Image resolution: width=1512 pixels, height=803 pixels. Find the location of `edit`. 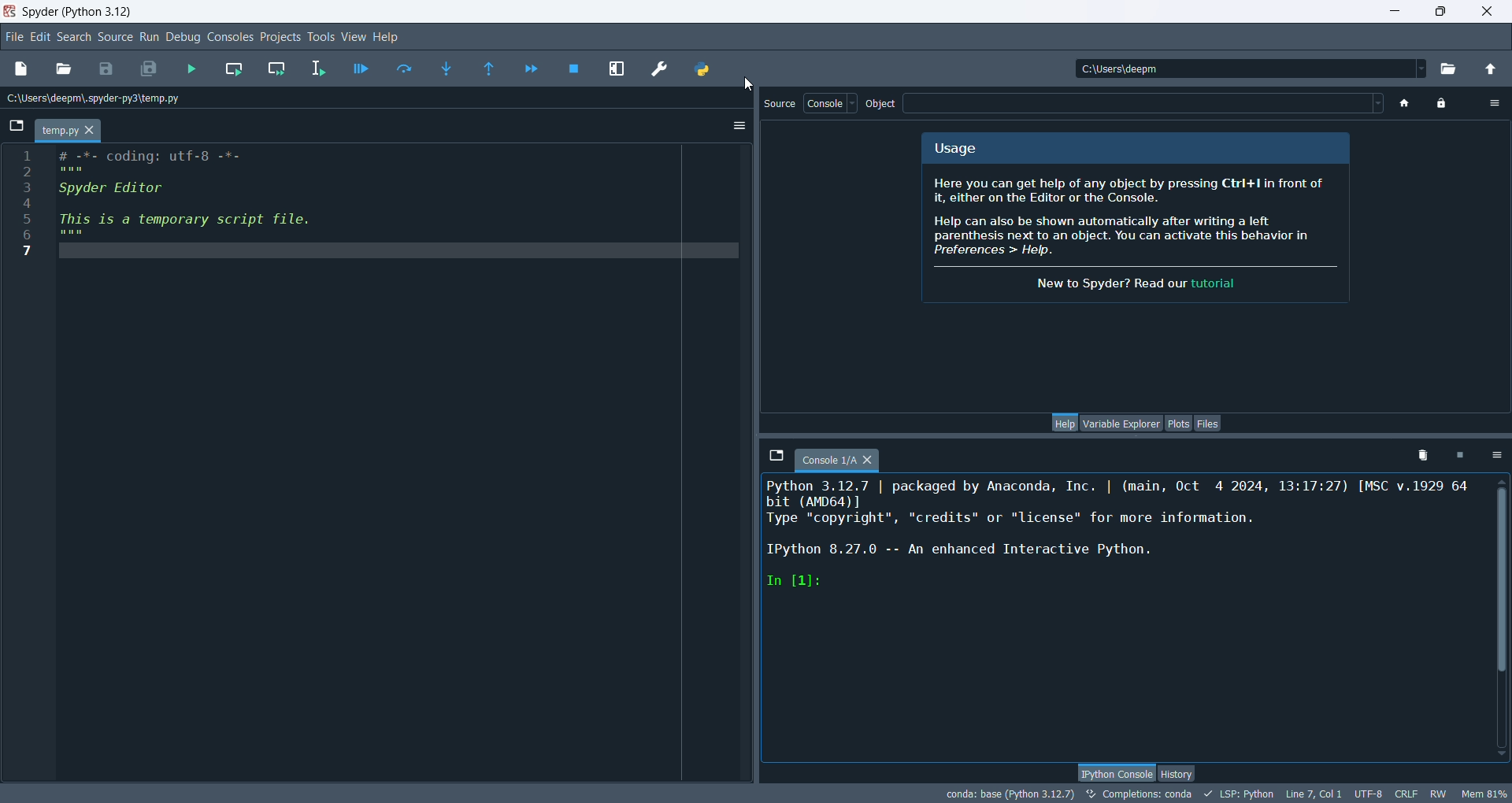

edit is located at coordinates (43, 37).